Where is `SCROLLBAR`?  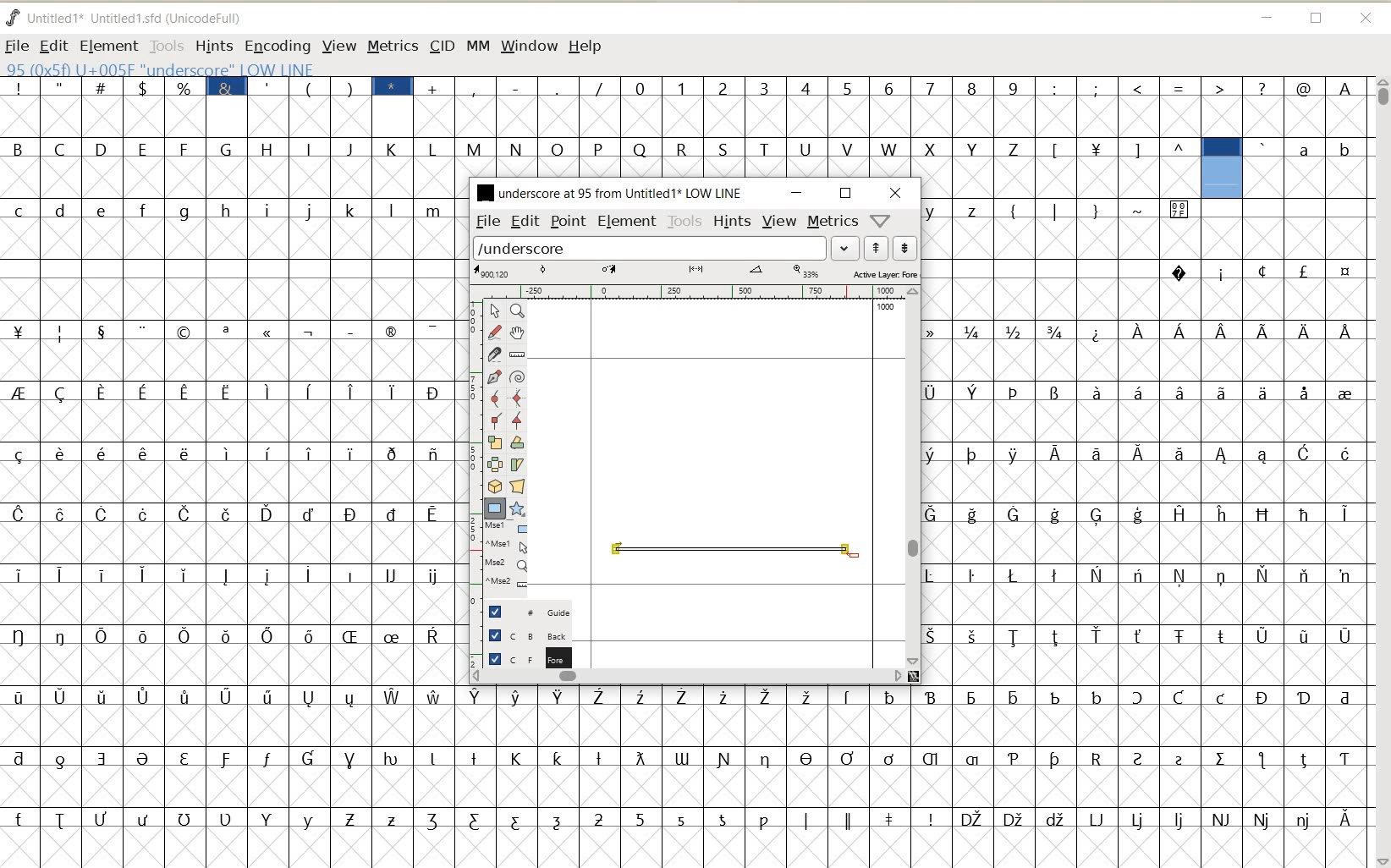
SCROLLBAR is located at coordinates (687, 675).